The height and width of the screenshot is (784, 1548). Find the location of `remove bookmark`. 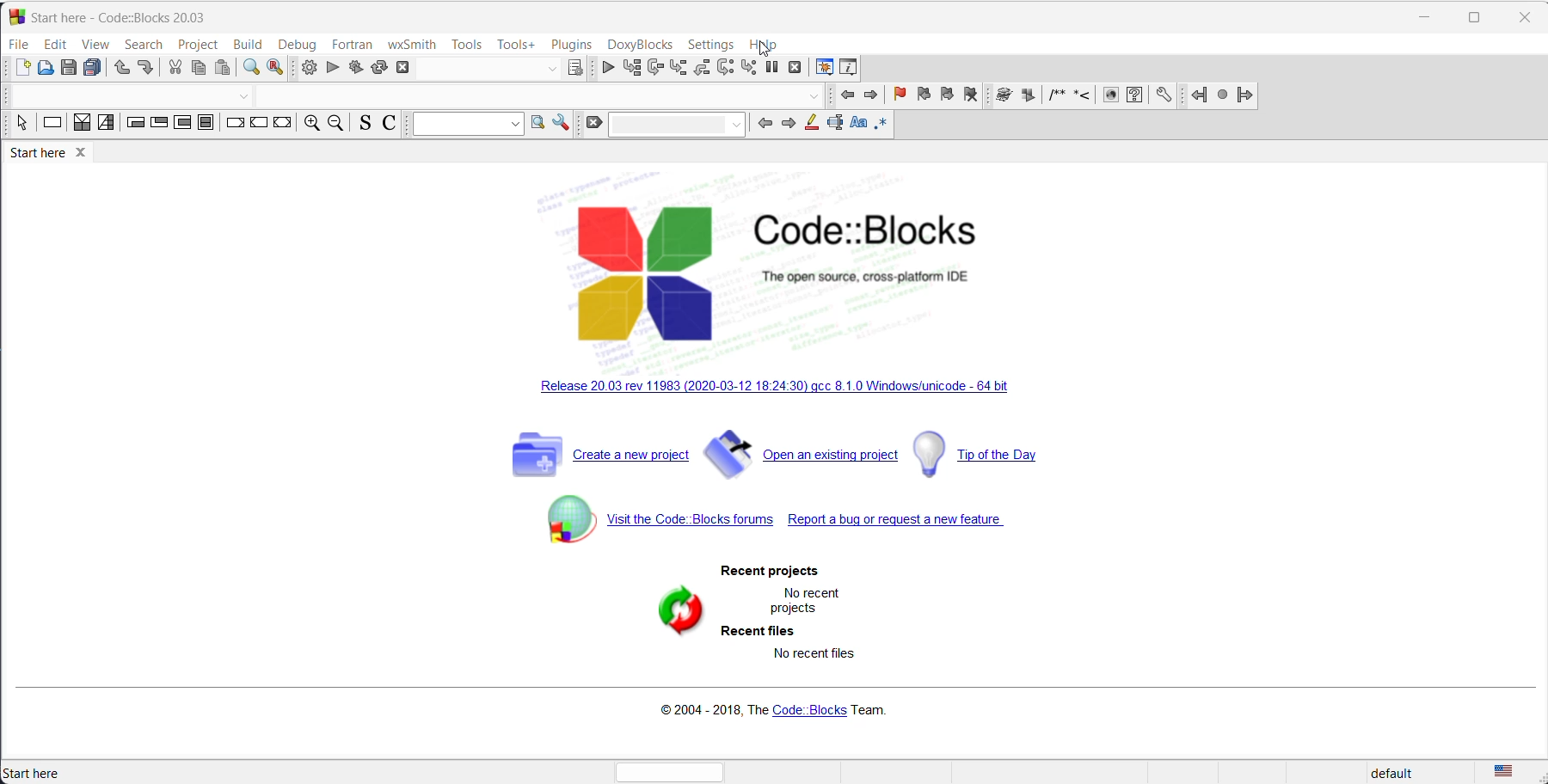

remove bookmark is located at coordinates (974, 95).